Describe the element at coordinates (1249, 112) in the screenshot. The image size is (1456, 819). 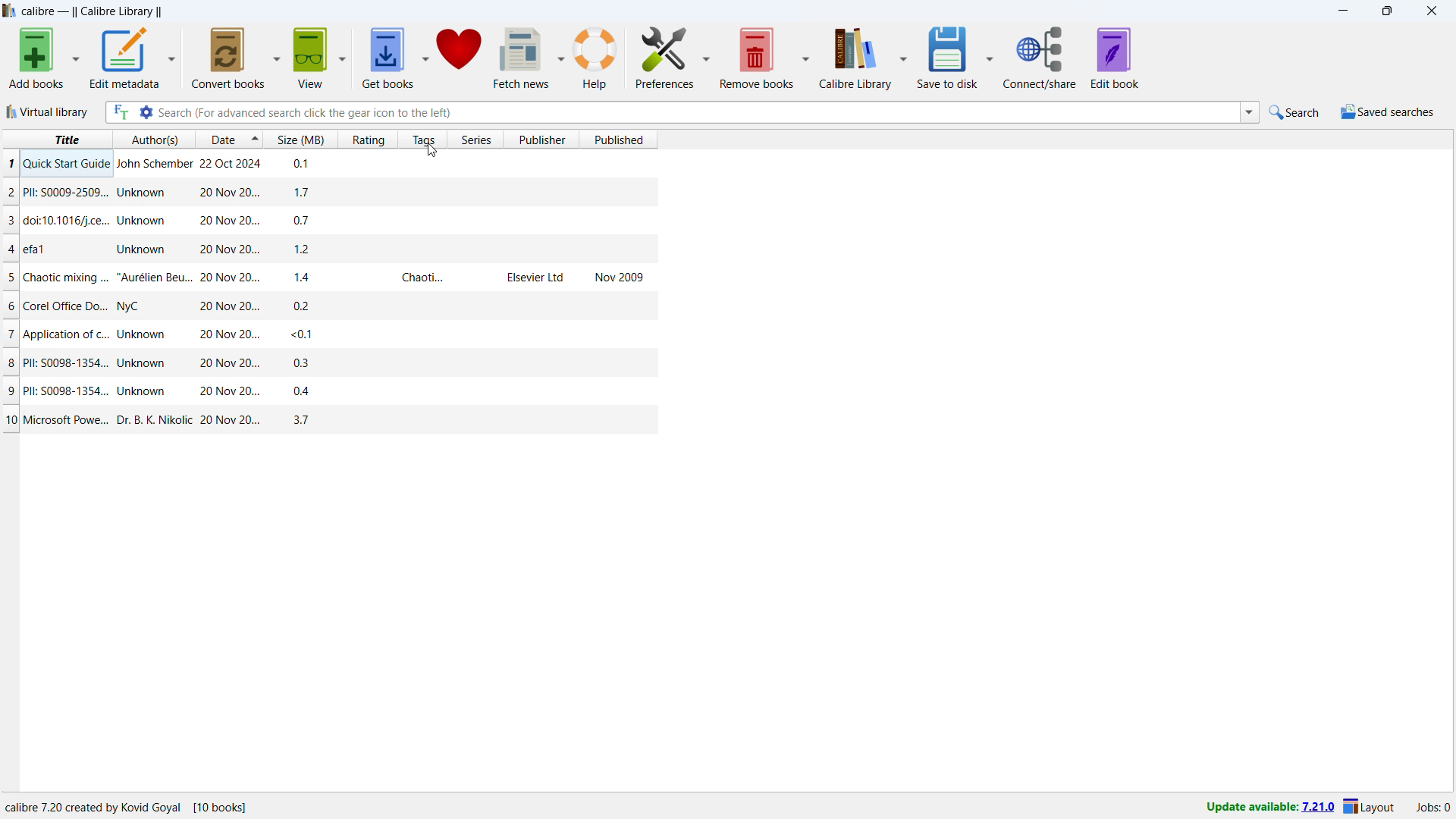
I see `search history` at that location.